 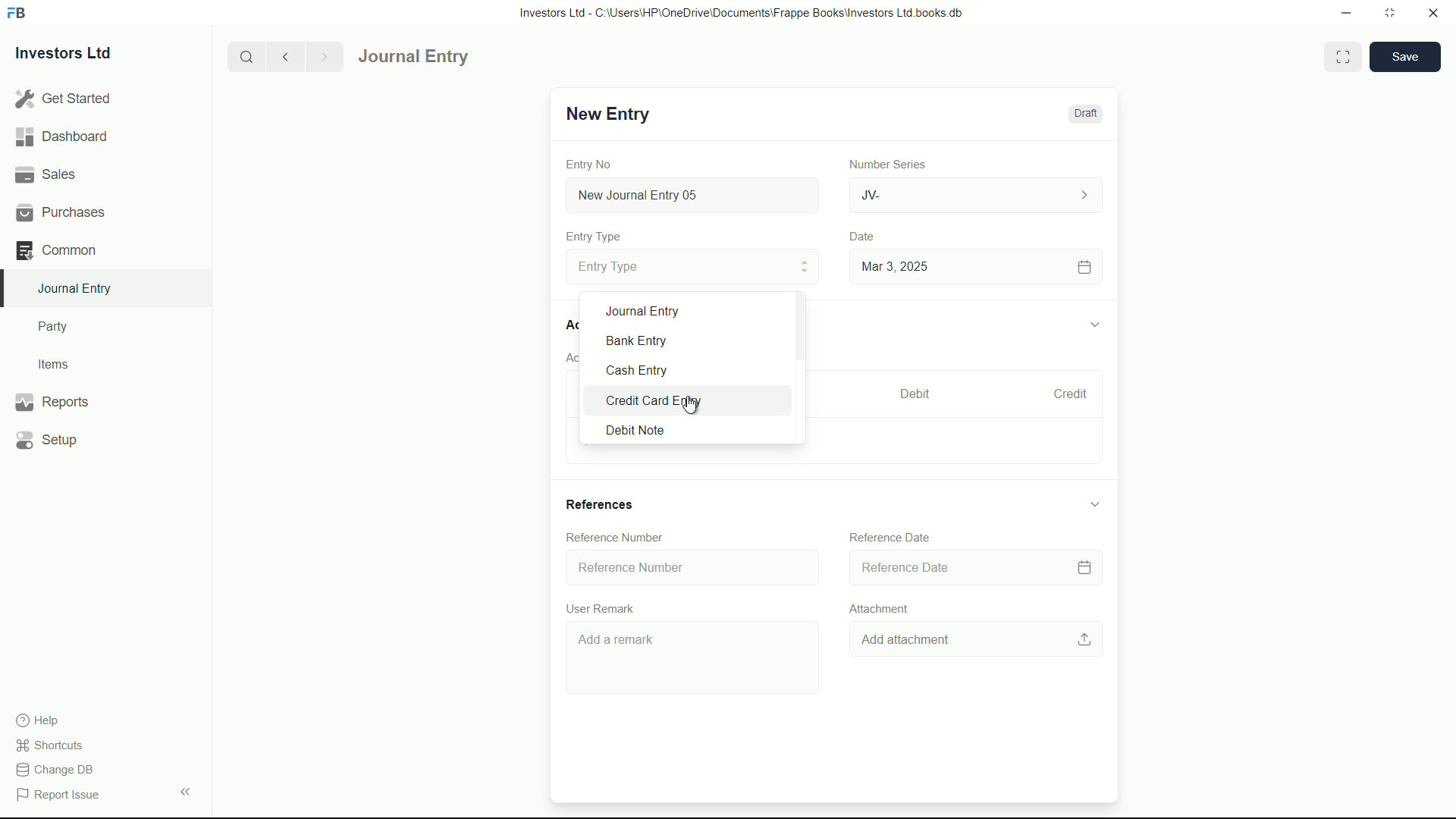 I want to click on Reference Date, so click(x=890, y=536).